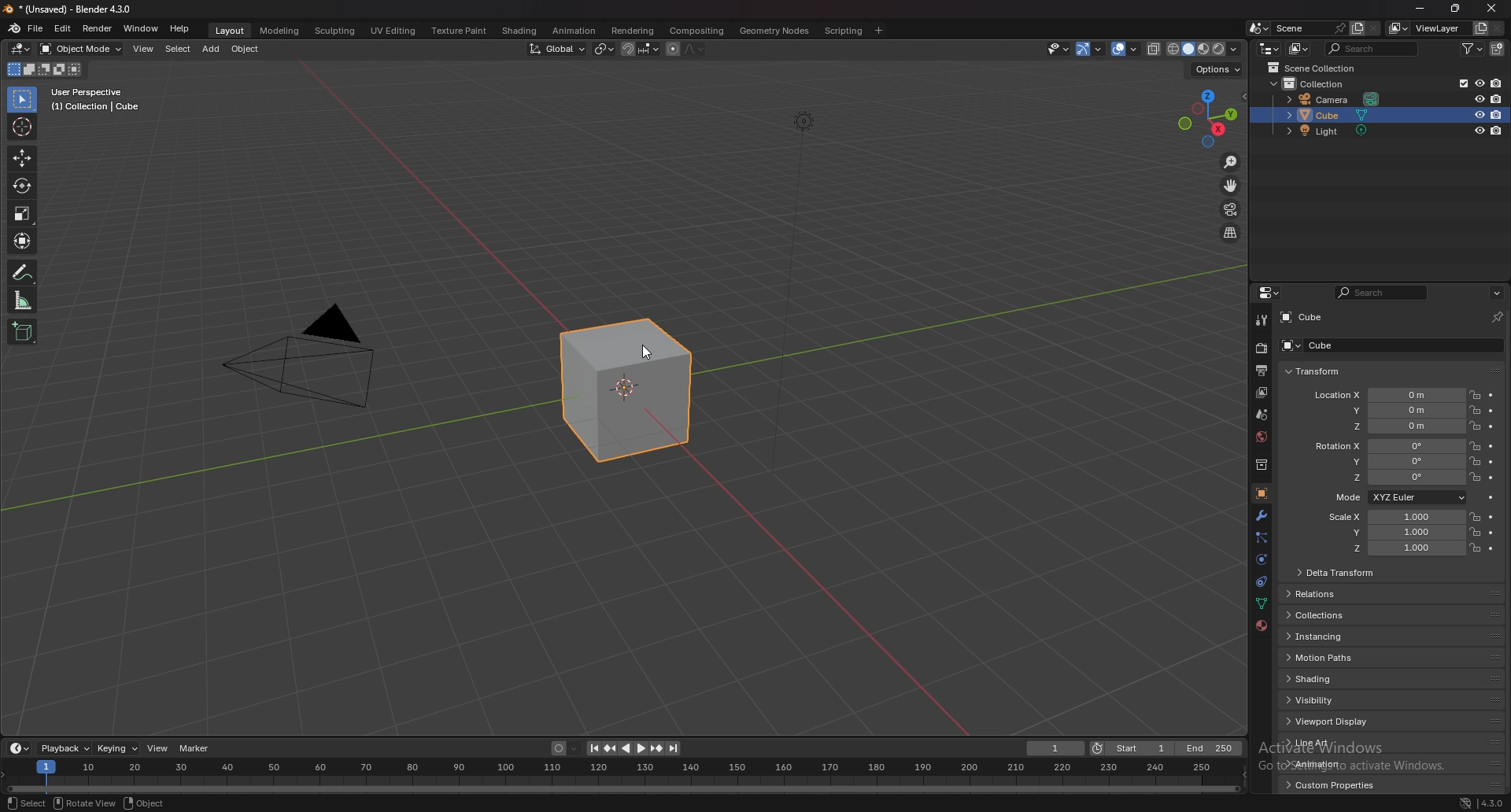 This screenshot has width=1511, height=812. Describe the element at coordinates (1424, 28) in the screenshot. I see `view layer` at that location.